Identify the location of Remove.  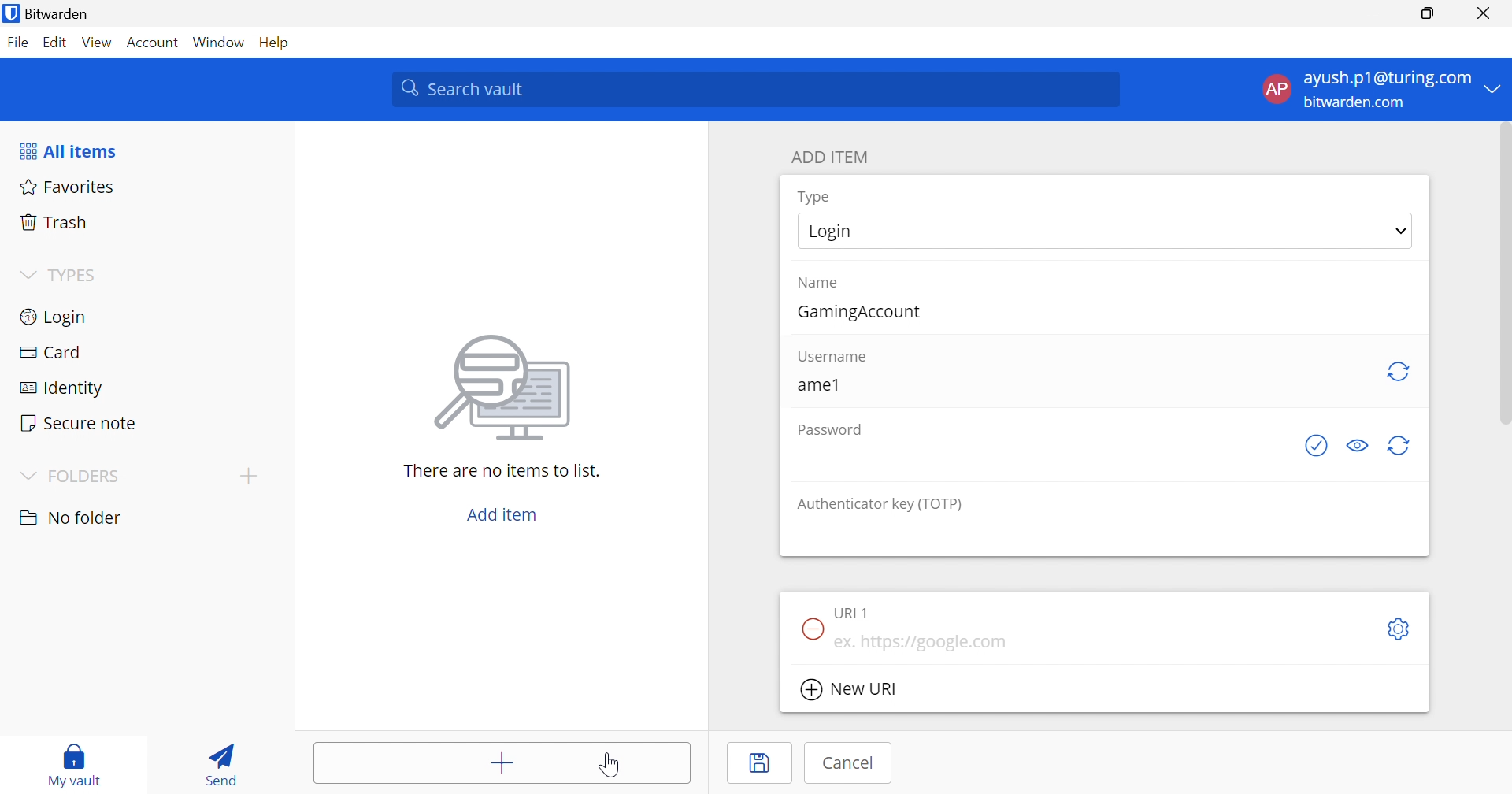
(810, 627).